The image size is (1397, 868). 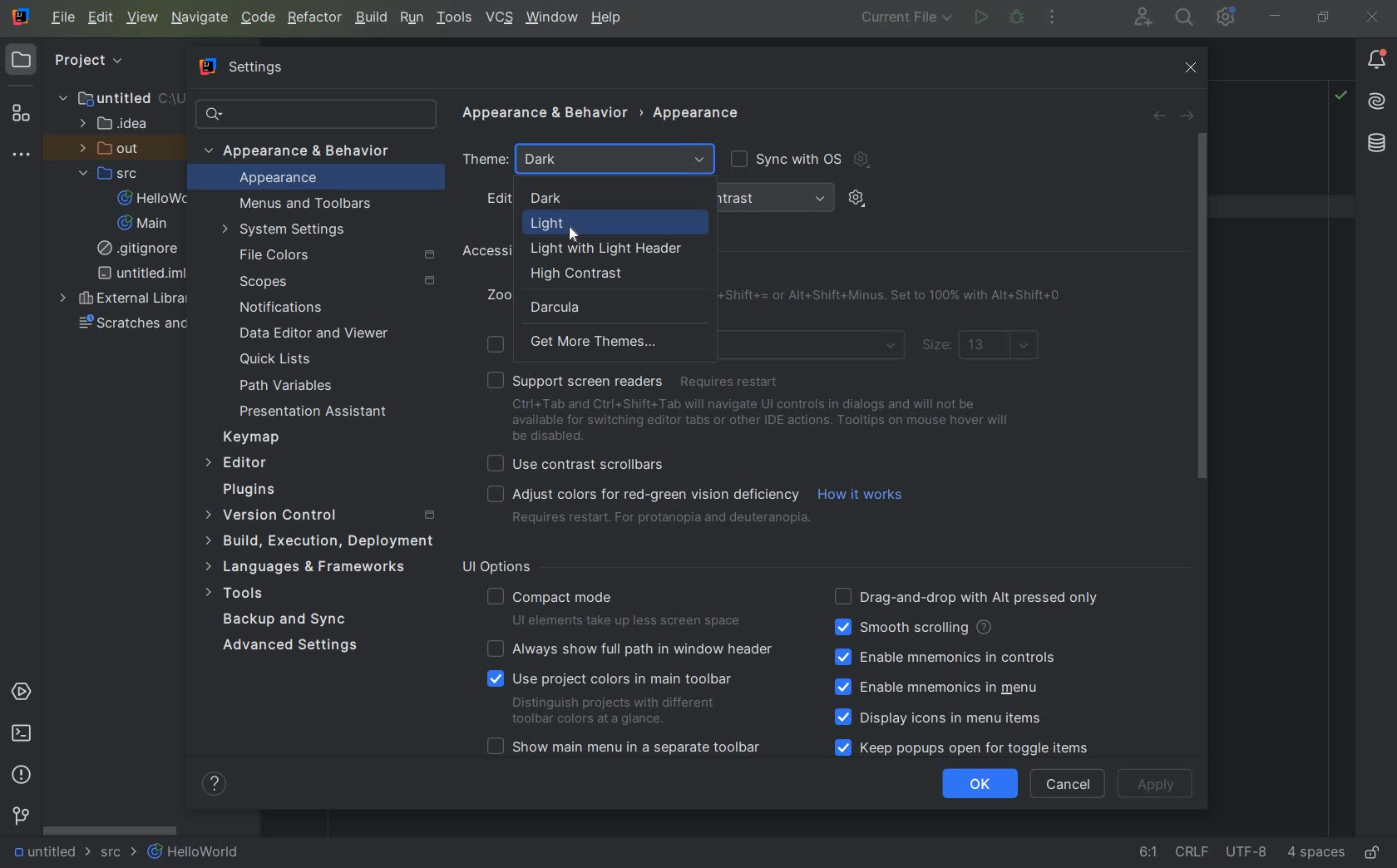 I want to click on BUILD, EXECUTION, DEPLOYMENT, so click(x=318, y=540).